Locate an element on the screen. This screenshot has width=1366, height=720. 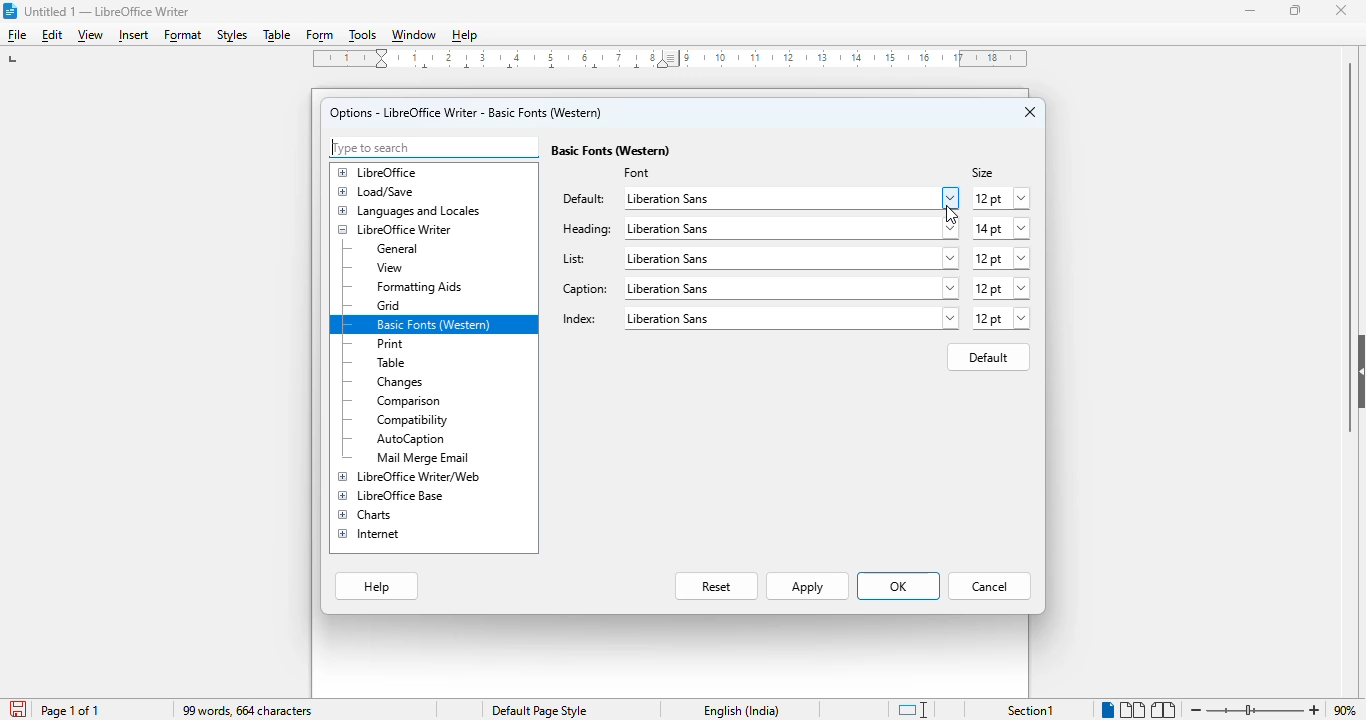
form is located at coordinates (320, 37).